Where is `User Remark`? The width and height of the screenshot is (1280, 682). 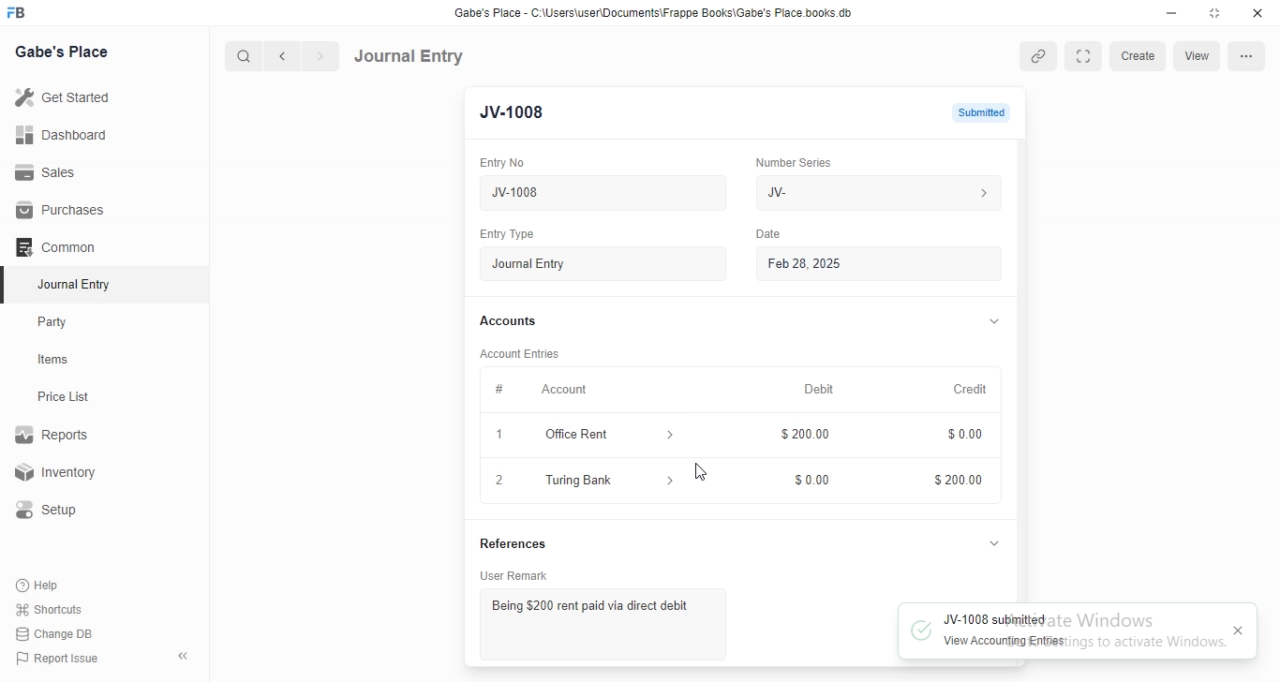
User Remark is located at coordinates (518, 572).